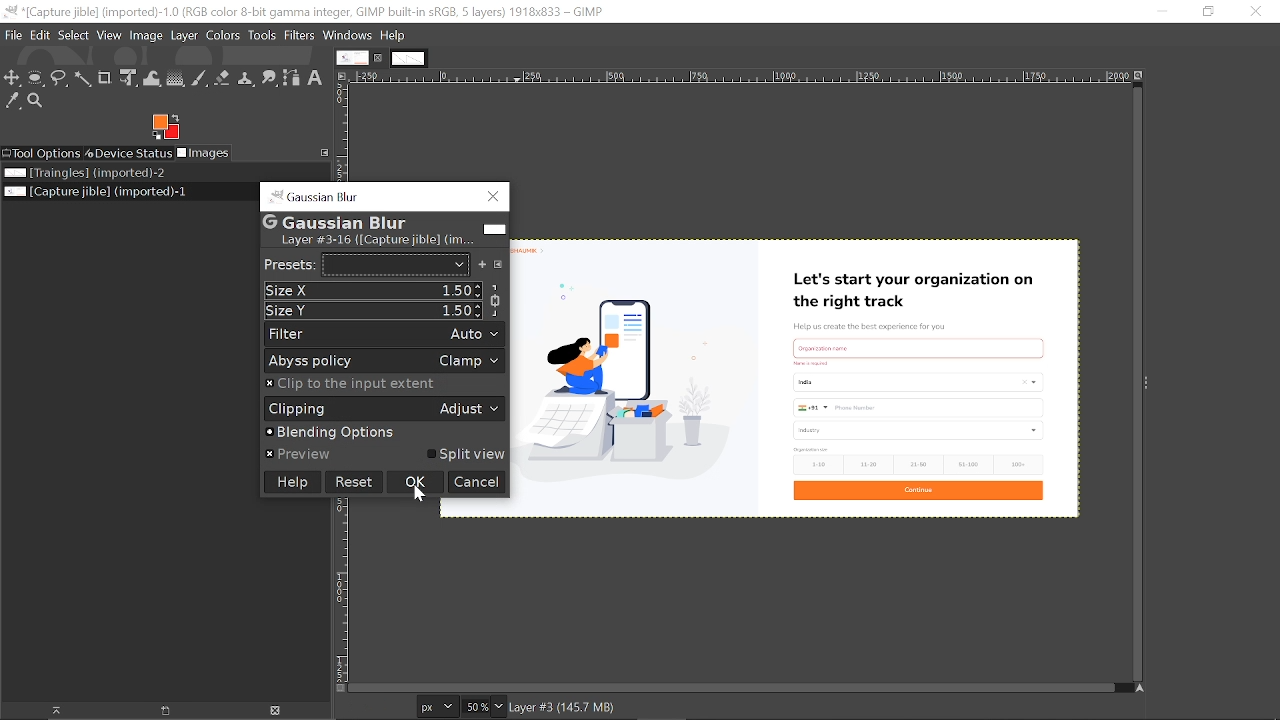 The height and width of the screenshot is (720, 1280). Describe the element at coordinates (414, 482) in the screenshot. I see `Ok` at that location.